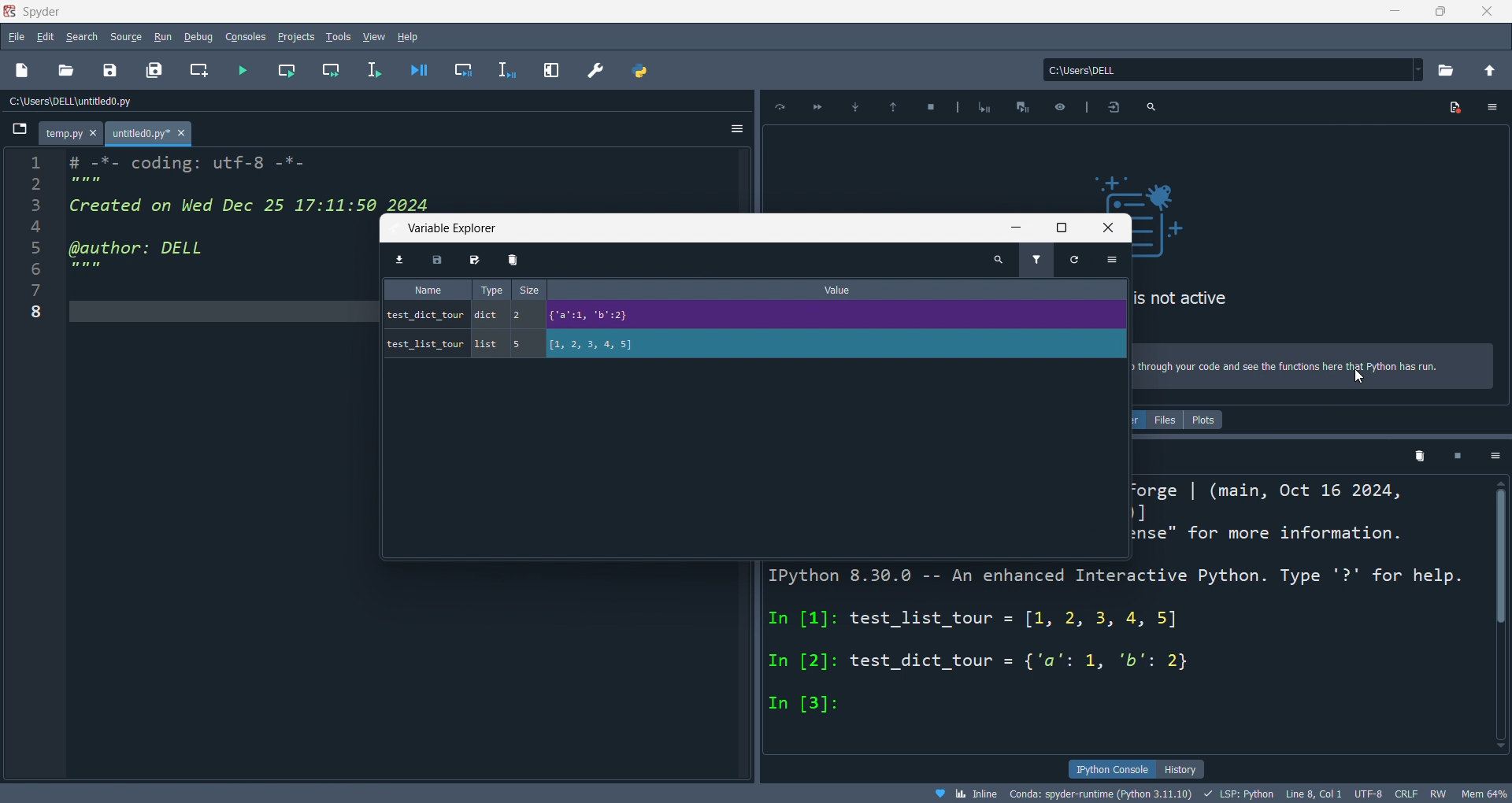  Describe the element at coordinates (372, 35) in the screenshot. I see `view` at that location.